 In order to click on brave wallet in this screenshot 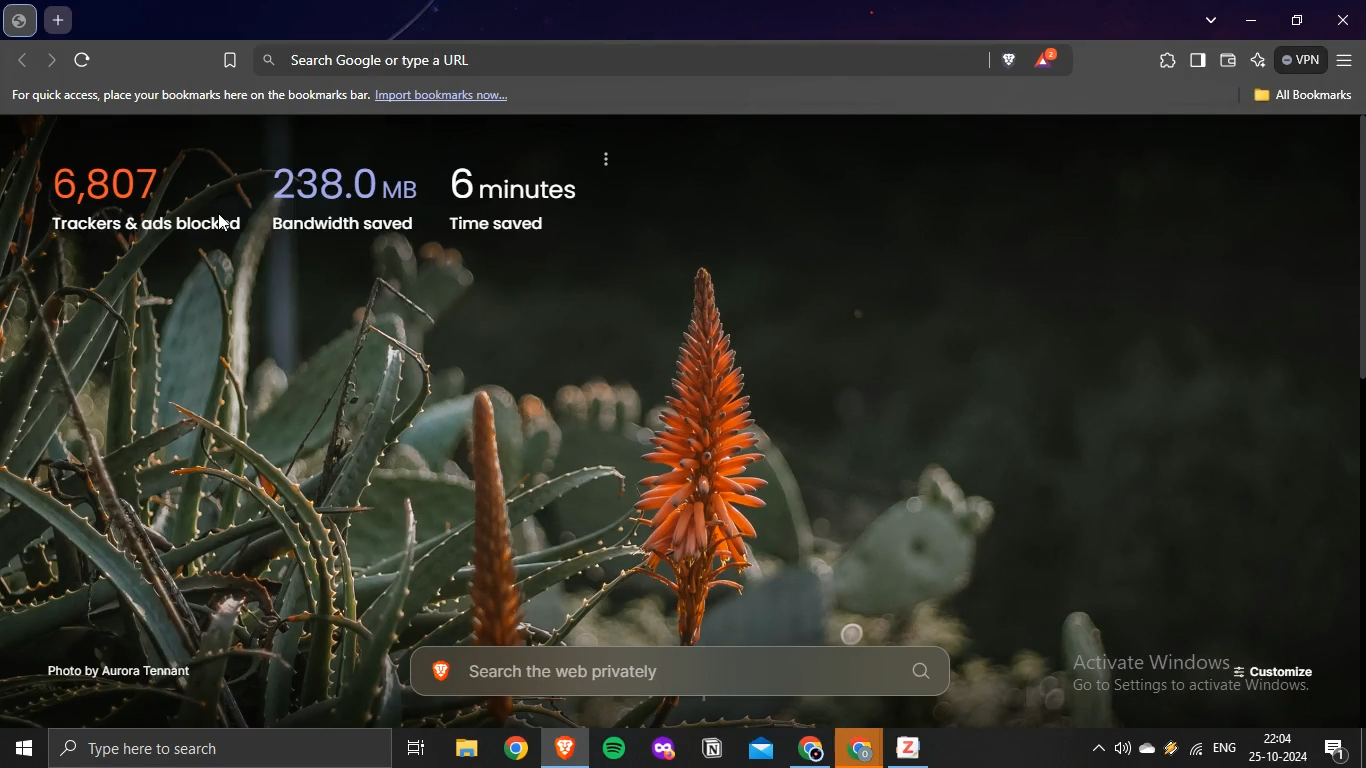, I will do `click(1228, 59)`.